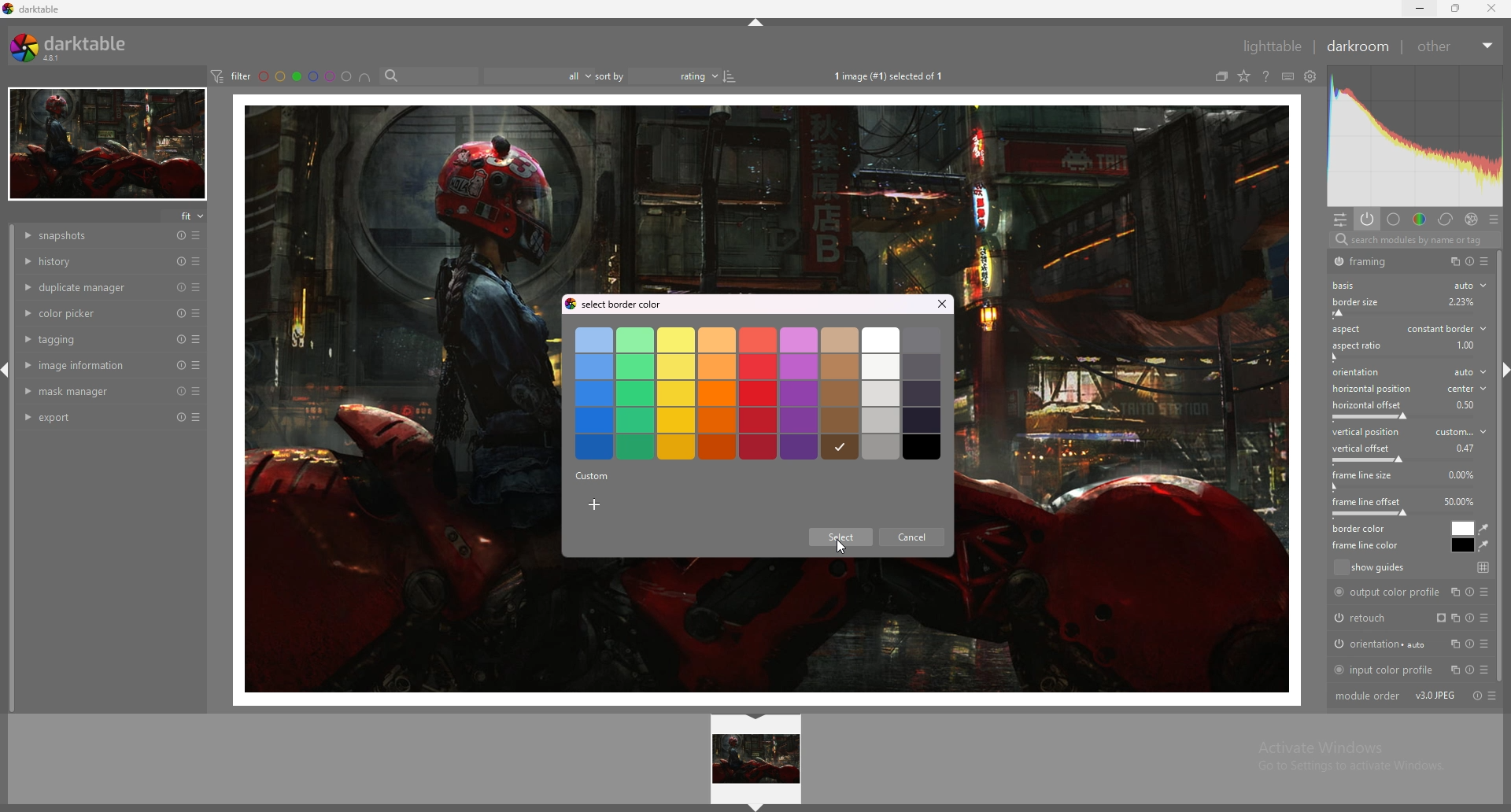  Describe the element at coordinates (1340, 220) in the screenshot. I see `quic access panel` at that location.